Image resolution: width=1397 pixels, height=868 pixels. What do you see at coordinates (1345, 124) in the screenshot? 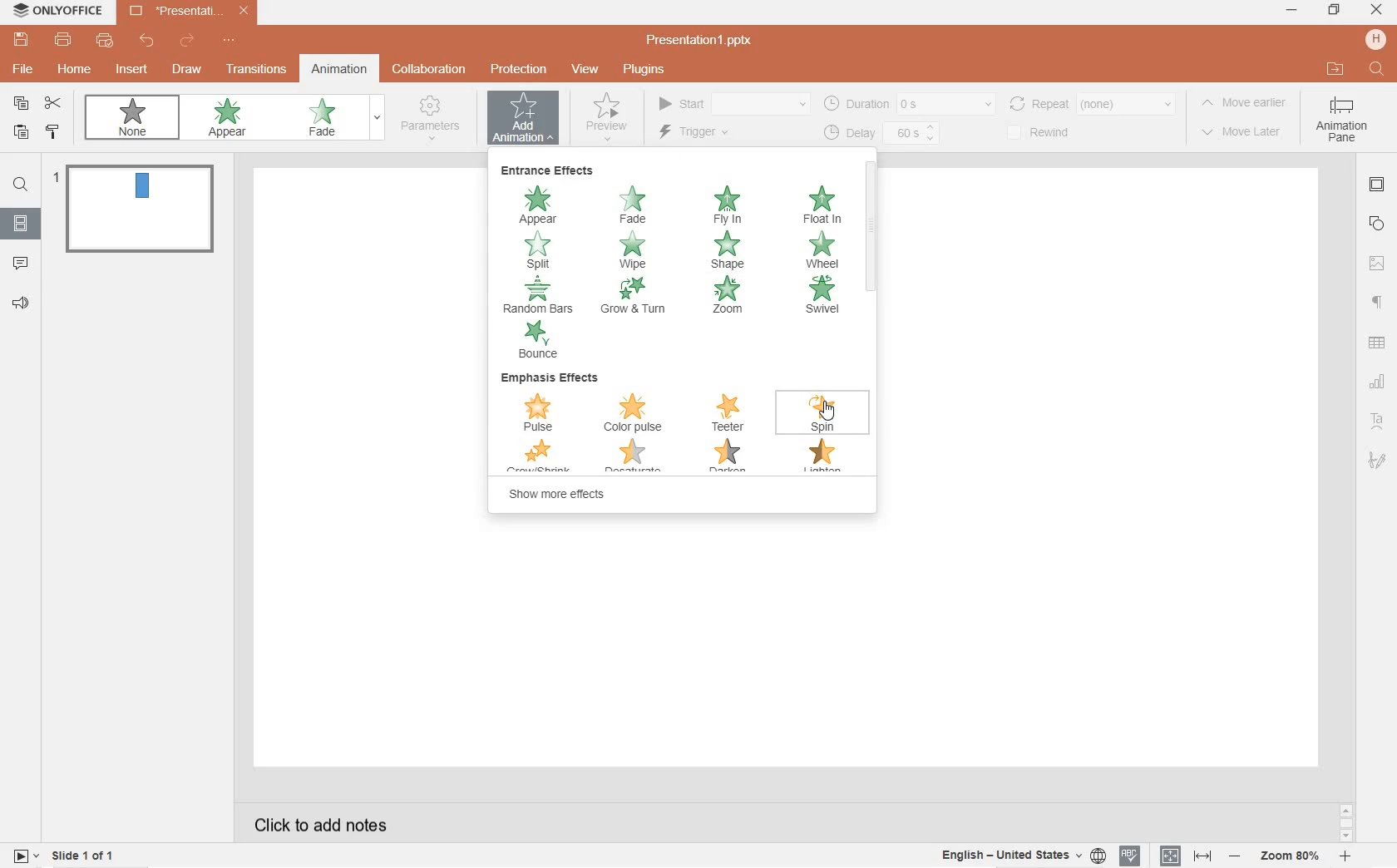
I see `animation pane` at bounding box center [1345, 124].